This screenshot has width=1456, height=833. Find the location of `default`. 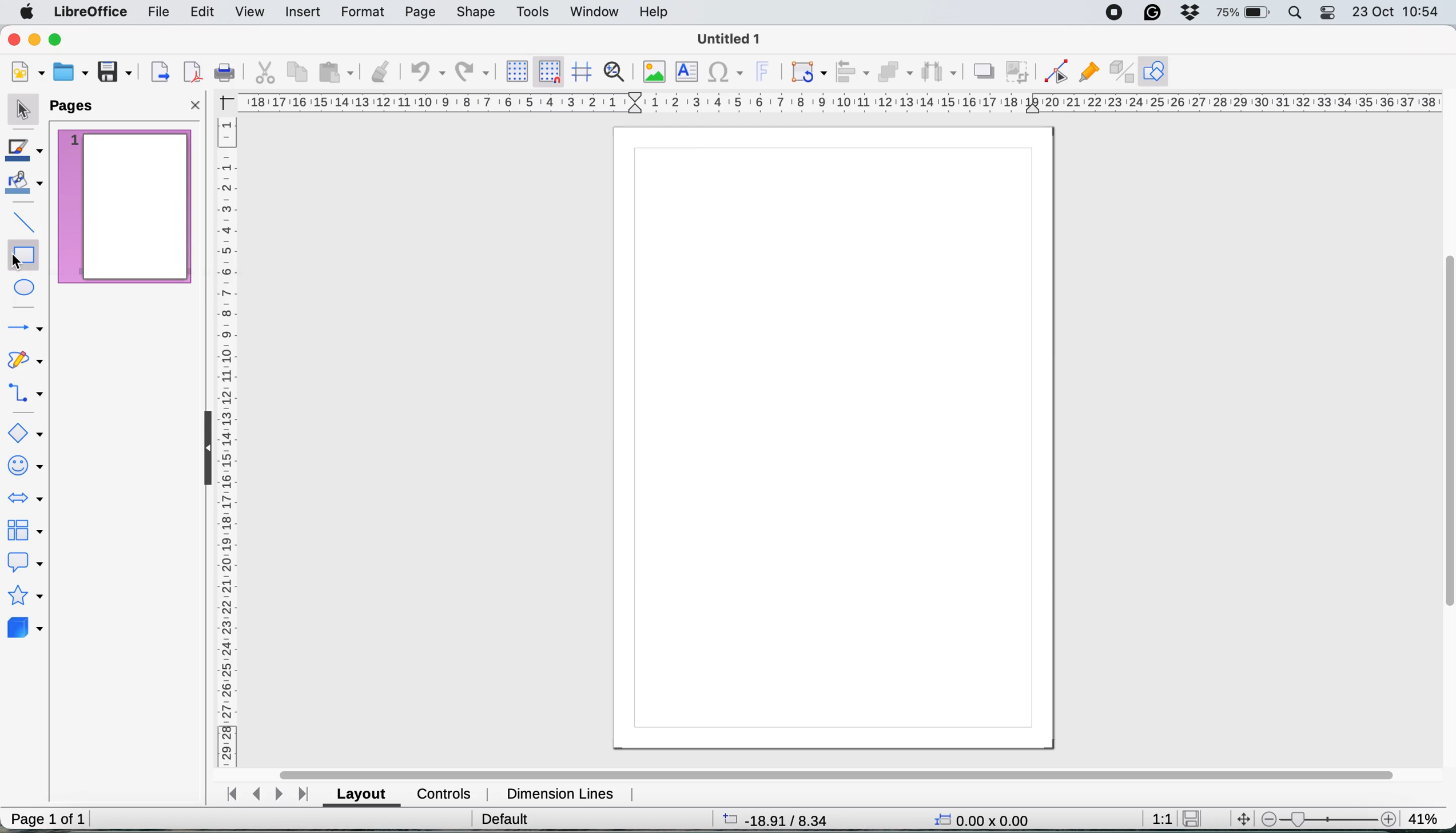

default is located at coordinates (504, 818).